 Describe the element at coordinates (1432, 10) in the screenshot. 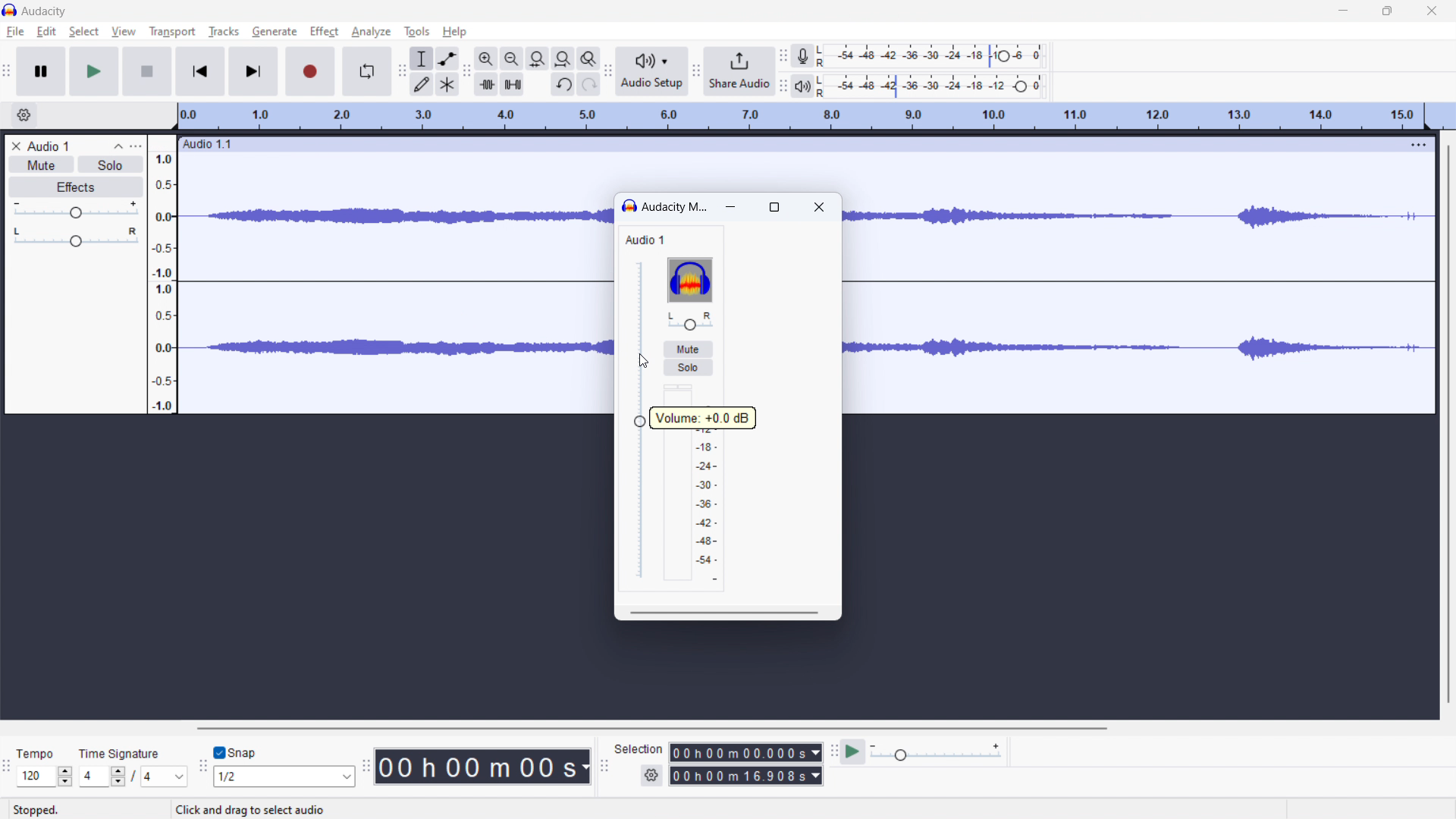

I see `close` at that location.